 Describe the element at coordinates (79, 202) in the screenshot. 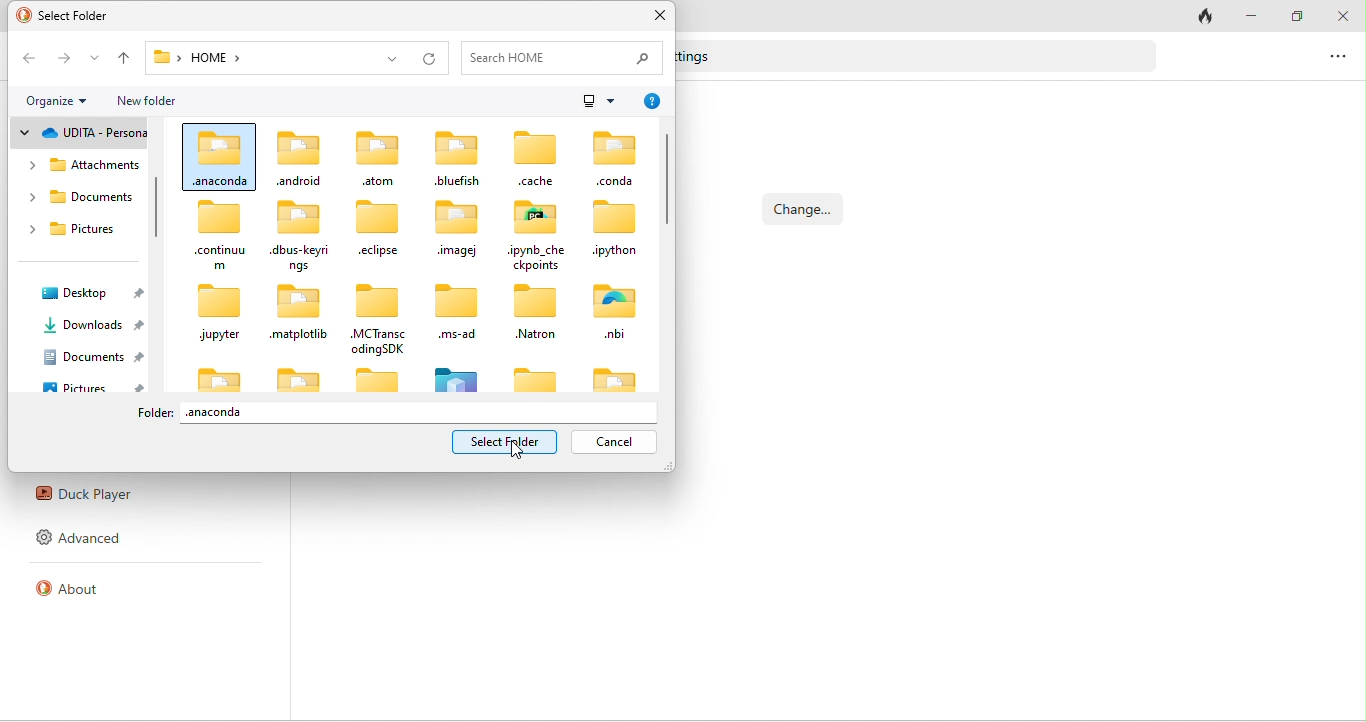

I see `documents` at that location.